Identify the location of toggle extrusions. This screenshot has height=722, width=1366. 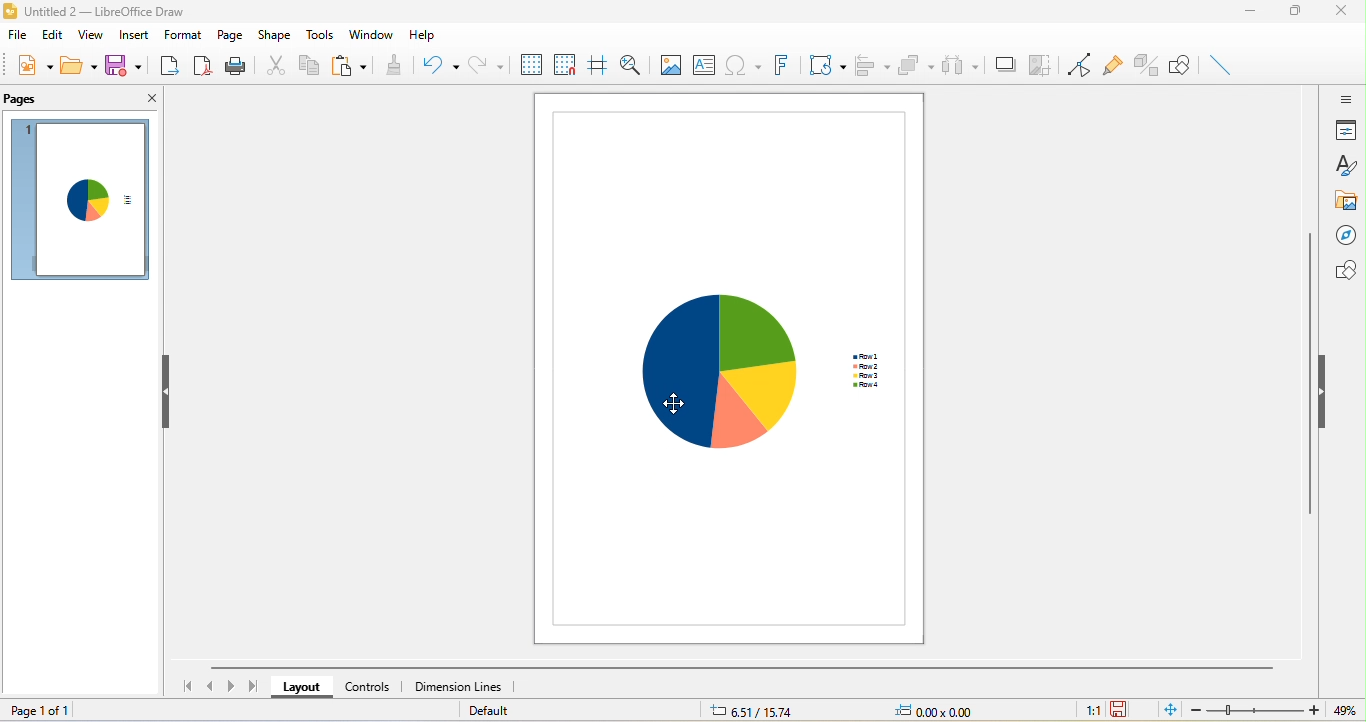
(1147, 64).